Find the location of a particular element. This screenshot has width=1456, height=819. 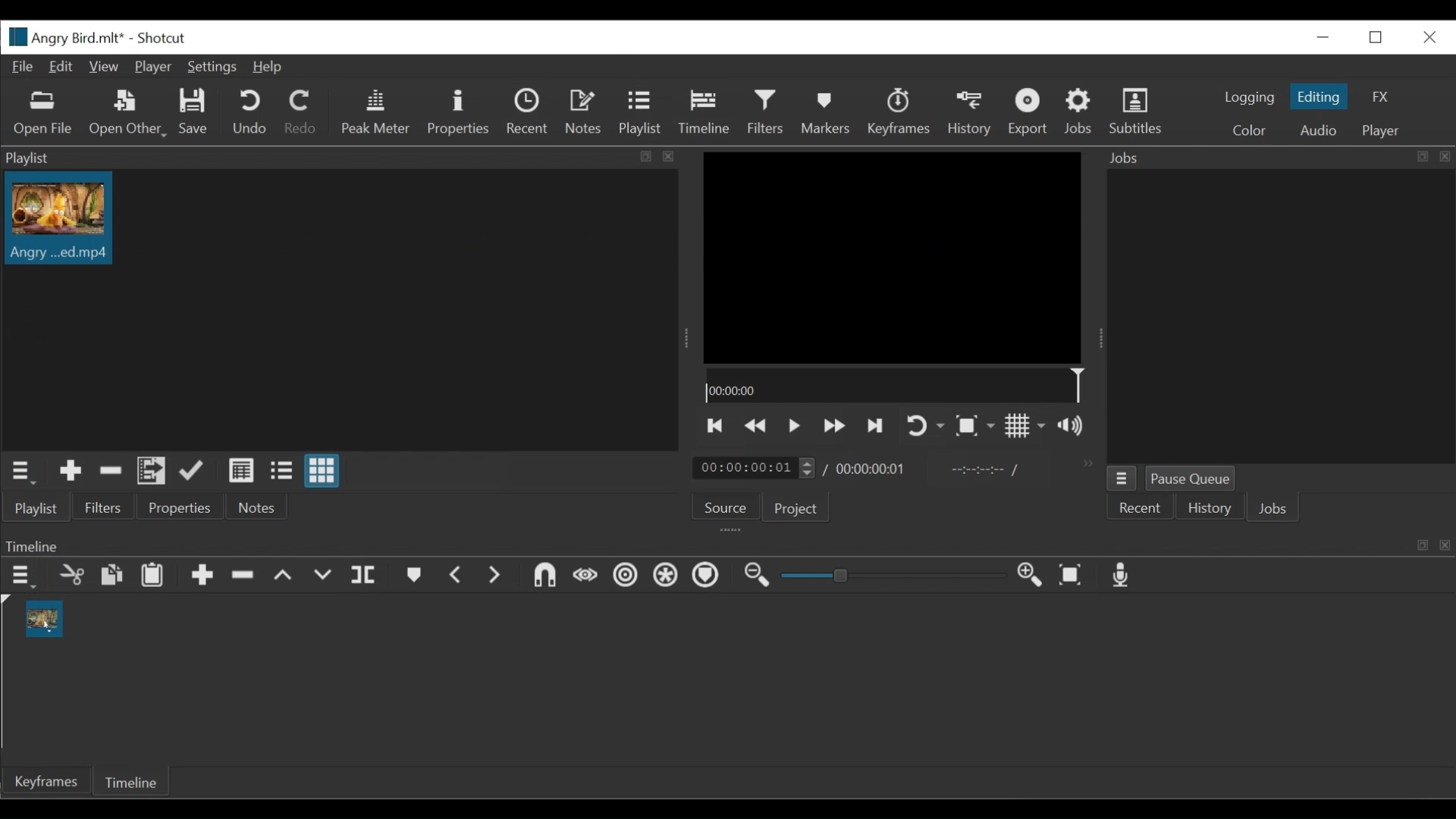

In point is located at coordinates (984, 469).